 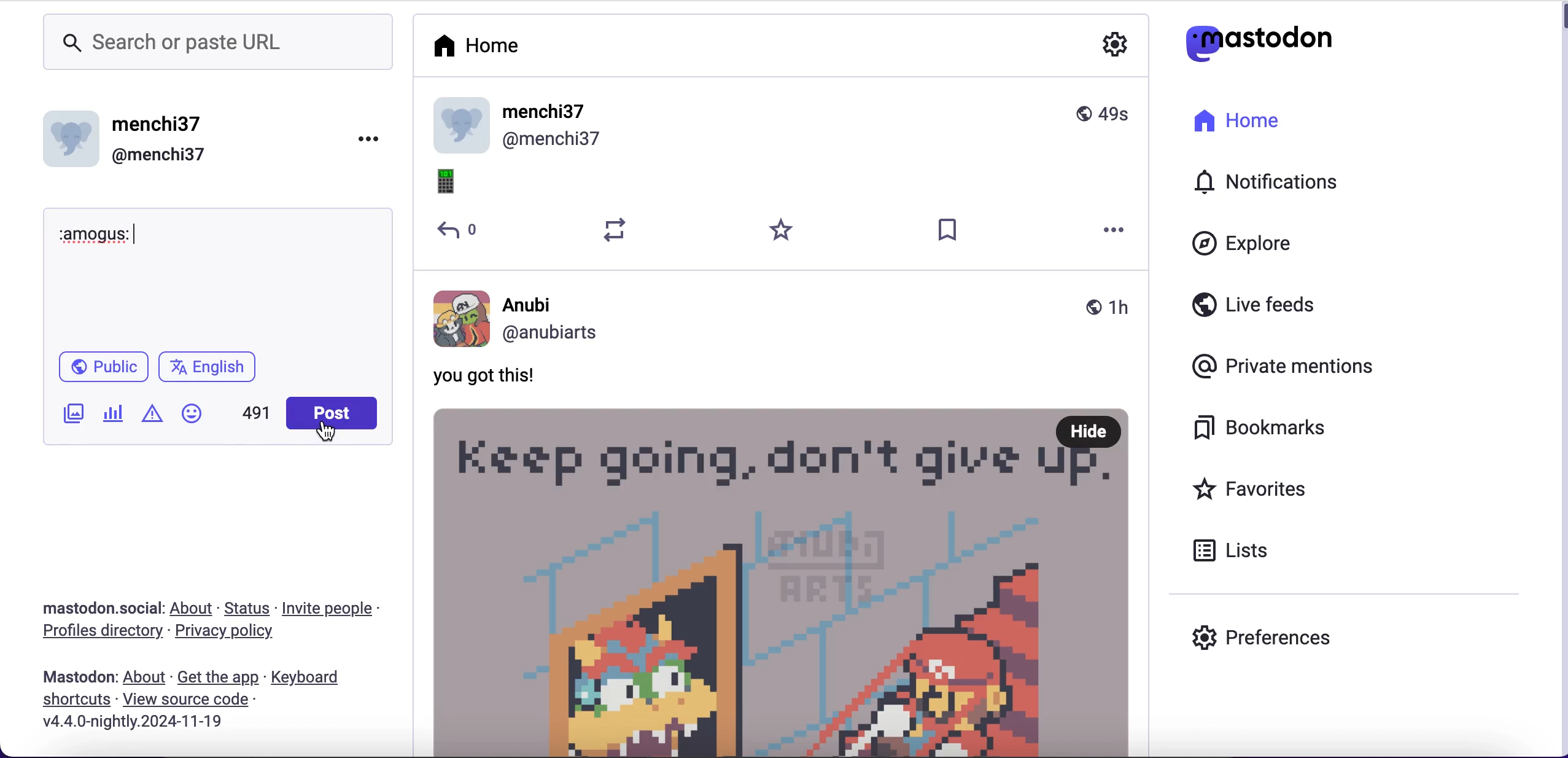 I want to click on explore, so click(x=1262, y=245).